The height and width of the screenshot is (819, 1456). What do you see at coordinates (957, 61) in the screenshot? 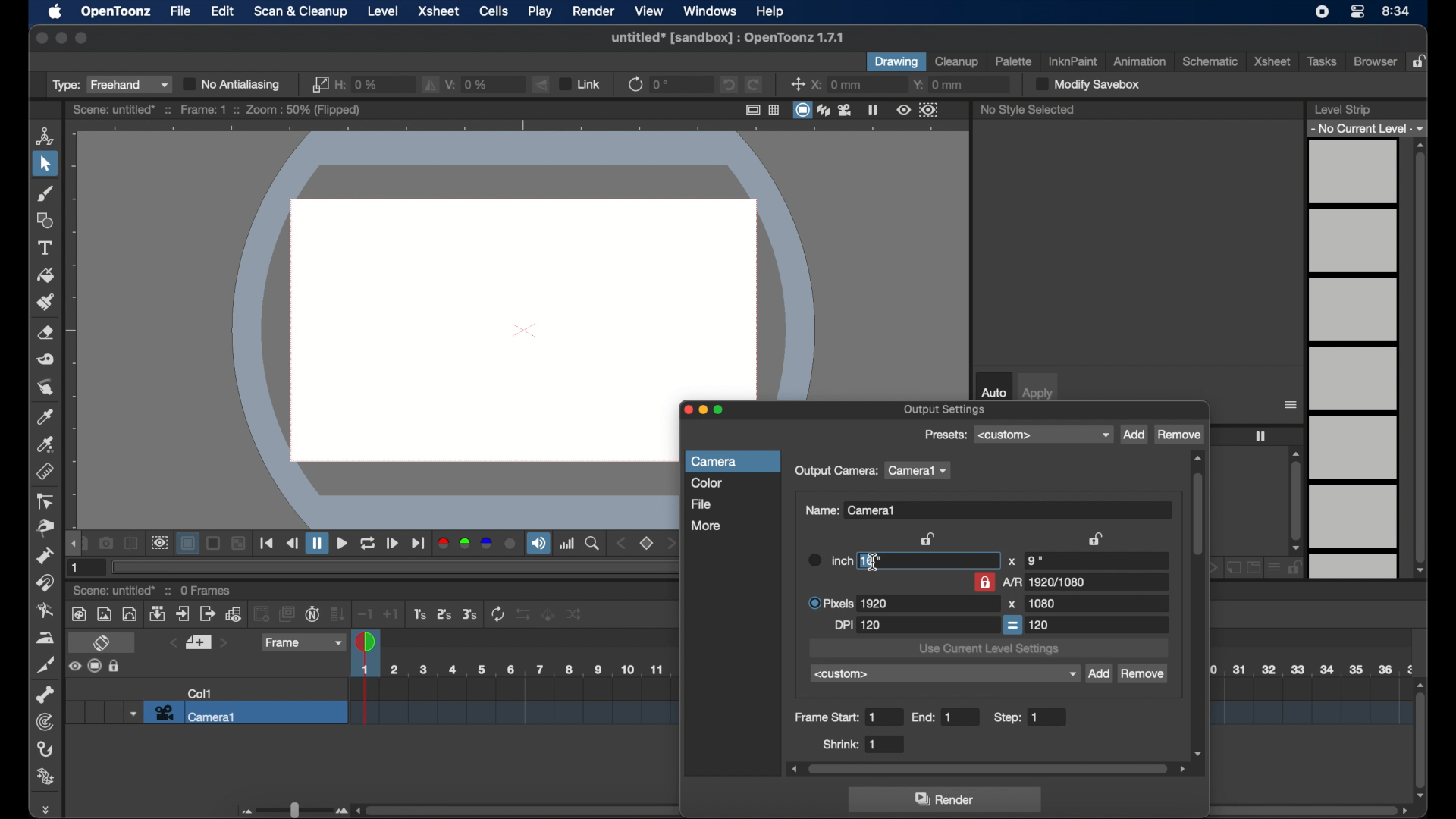
I see `cleanup` at bounding box center [957, 61].